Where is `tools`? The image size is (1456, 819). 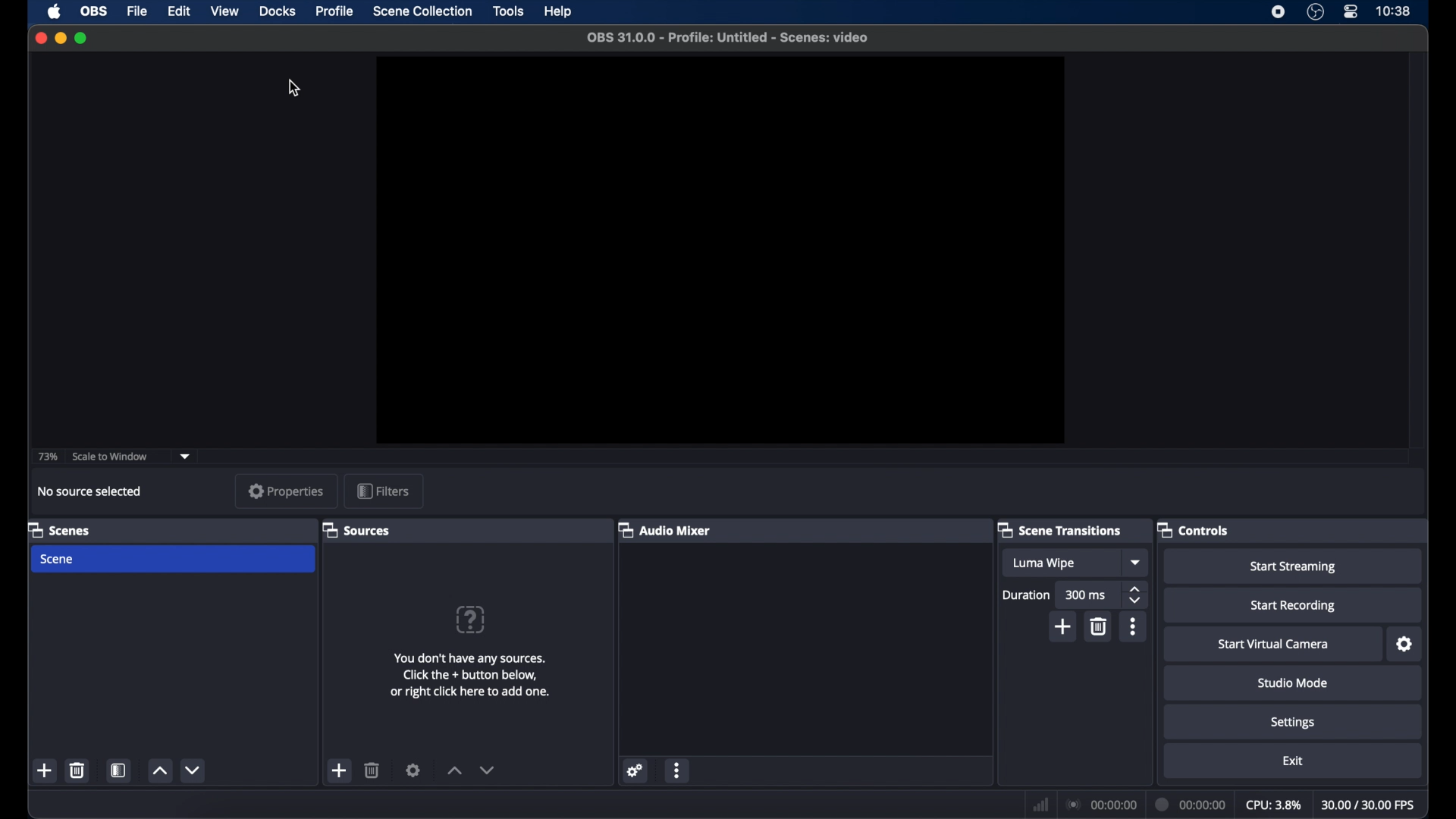 tools is located at coordinates (509, 11).